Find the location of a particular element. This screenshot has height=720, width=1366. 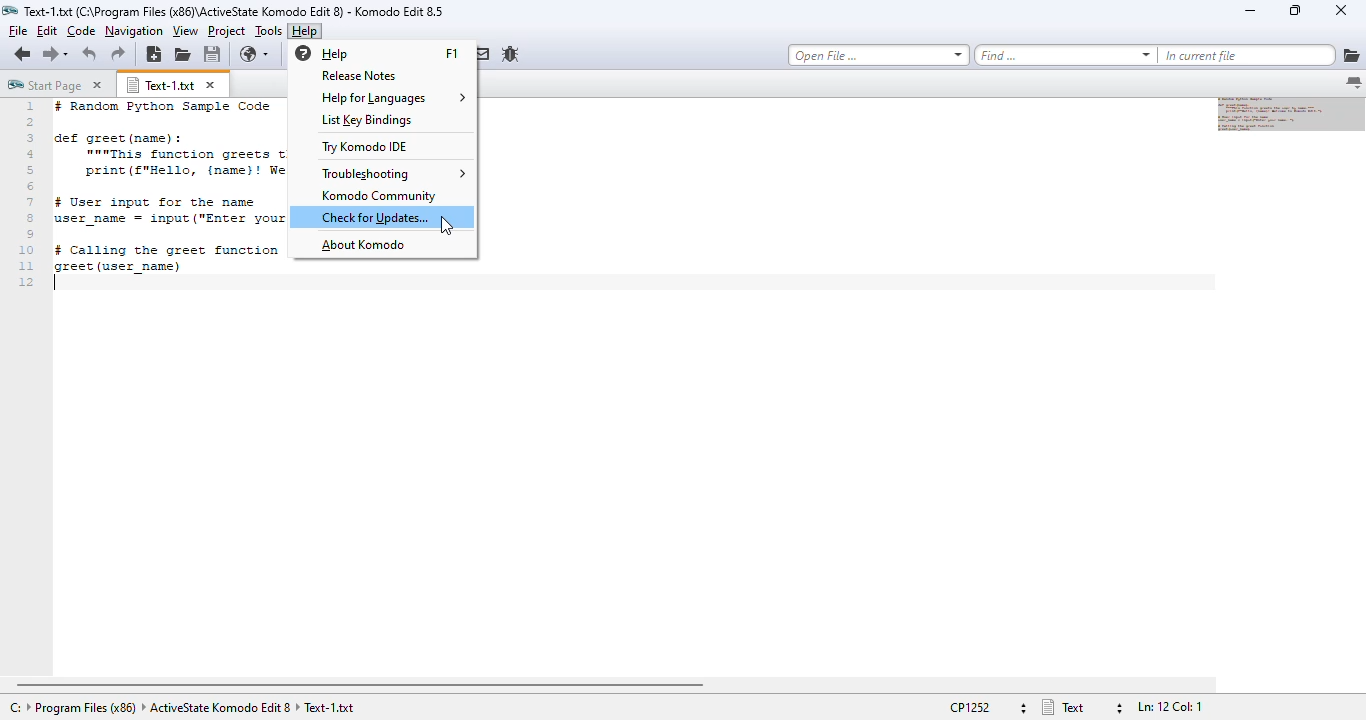

close tab is located at coordinates (97, 85).